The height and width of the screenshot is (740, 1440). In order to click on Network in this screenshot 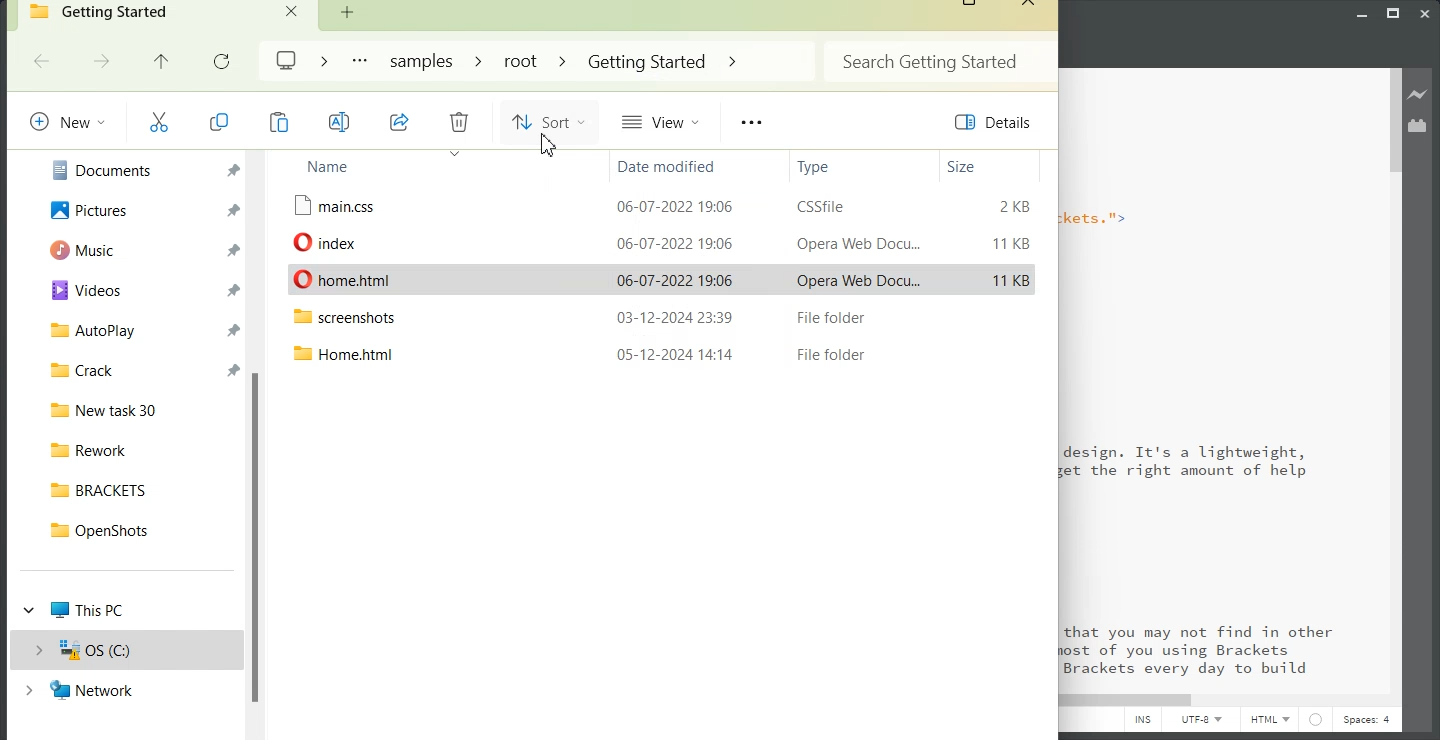, I will do `click(128, 690)`.